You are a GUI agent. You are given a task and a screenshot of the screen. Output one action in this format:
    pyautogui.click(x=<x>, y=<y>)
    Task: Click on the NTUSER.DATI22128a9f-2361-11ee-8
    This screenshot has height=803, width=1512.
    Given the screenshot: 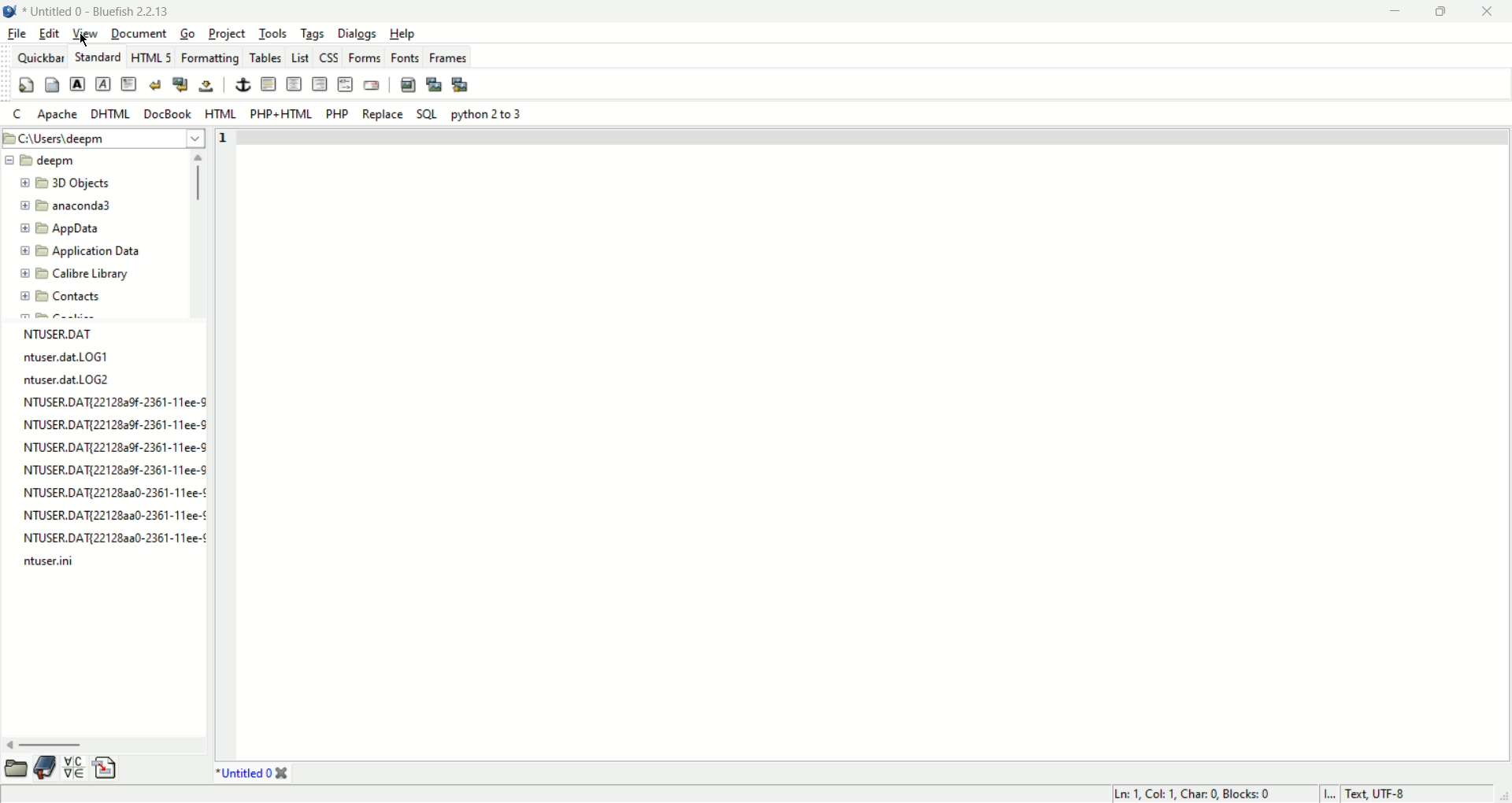 What is the action you would take?
    pyautogui.click(x=116, y=468)
    